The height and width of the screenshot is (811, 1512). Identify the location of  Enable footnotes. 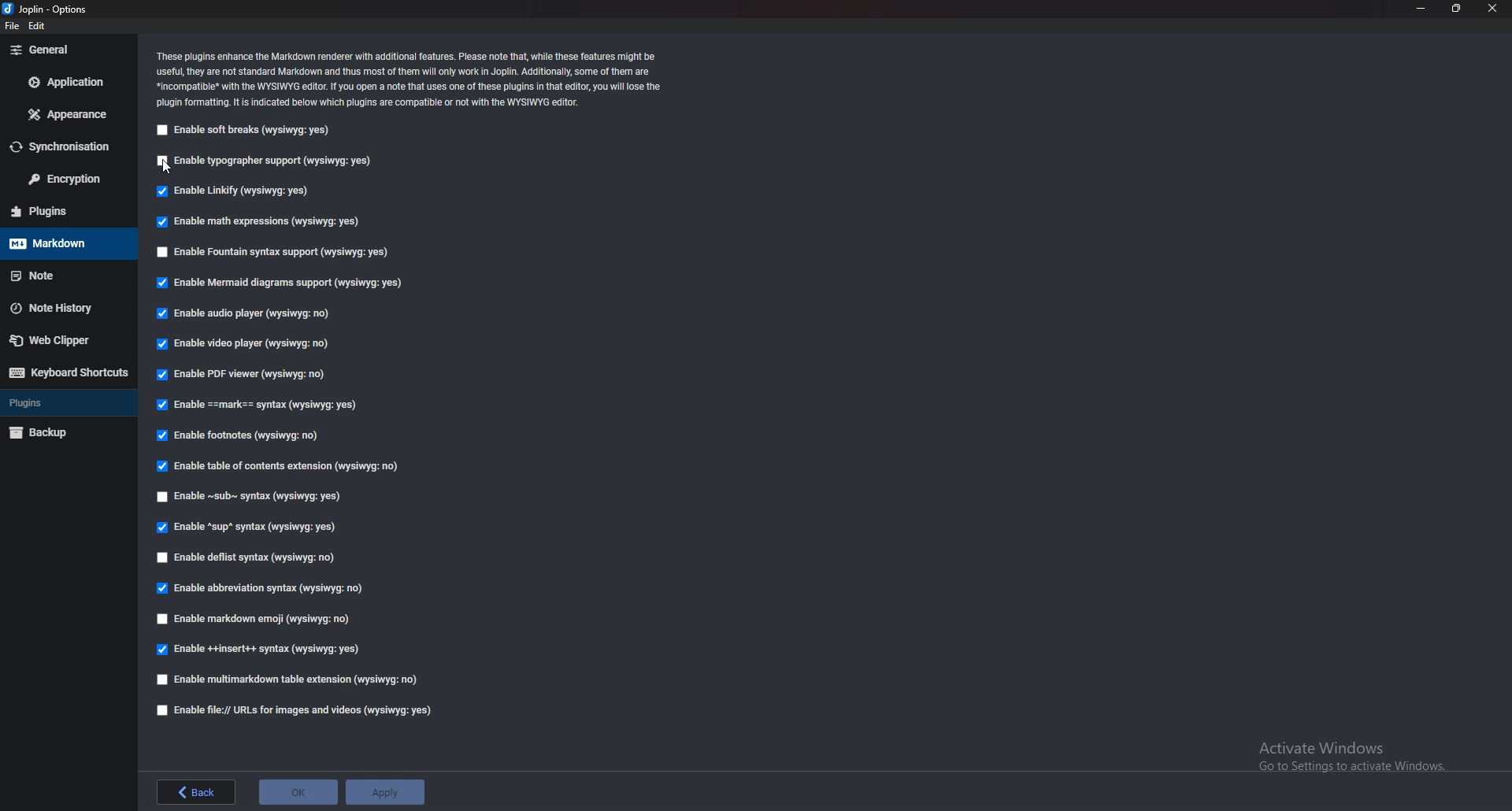
(242, 435).